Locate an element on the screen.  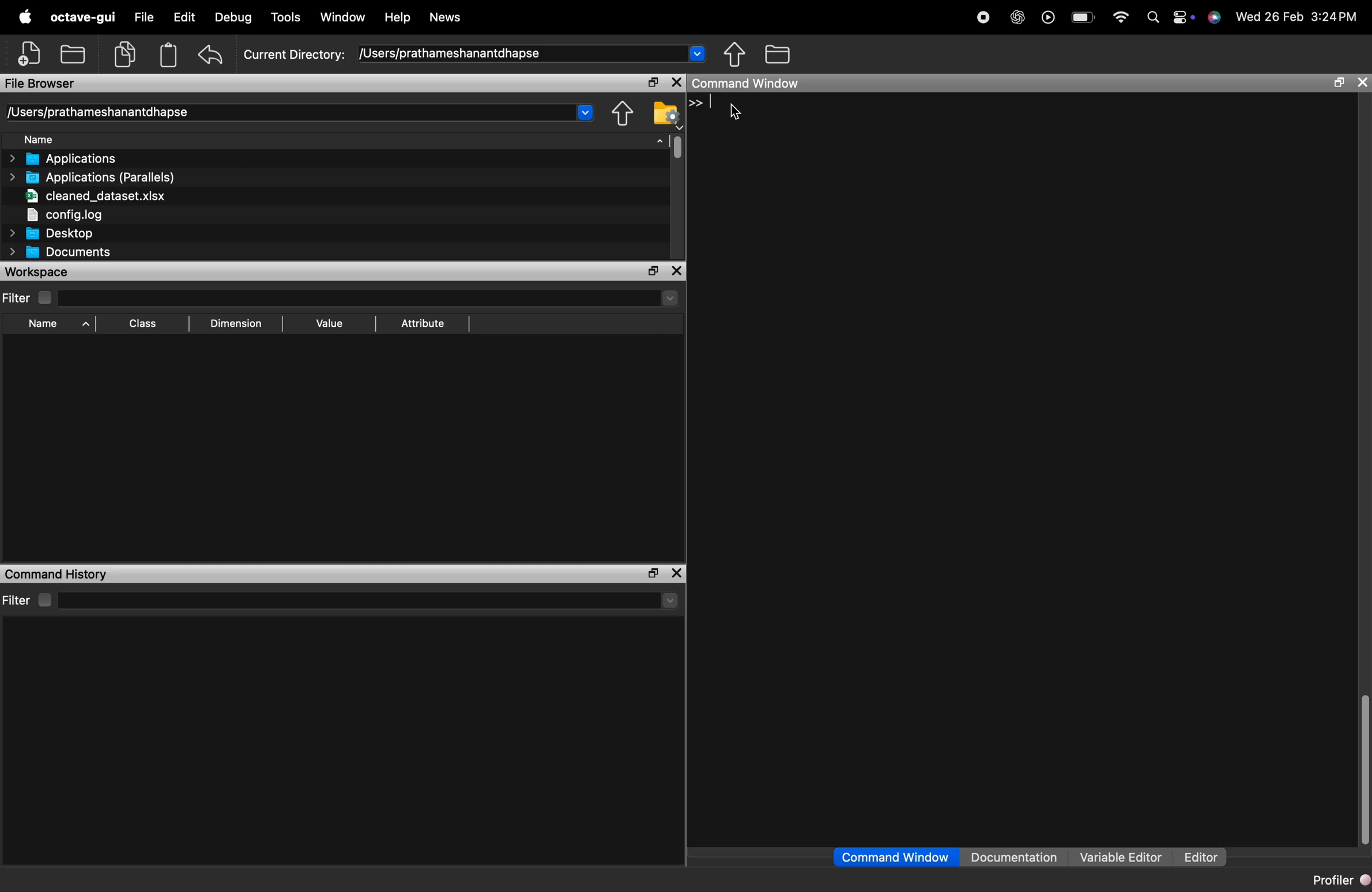
Close is located at coordinates (1362, 82).